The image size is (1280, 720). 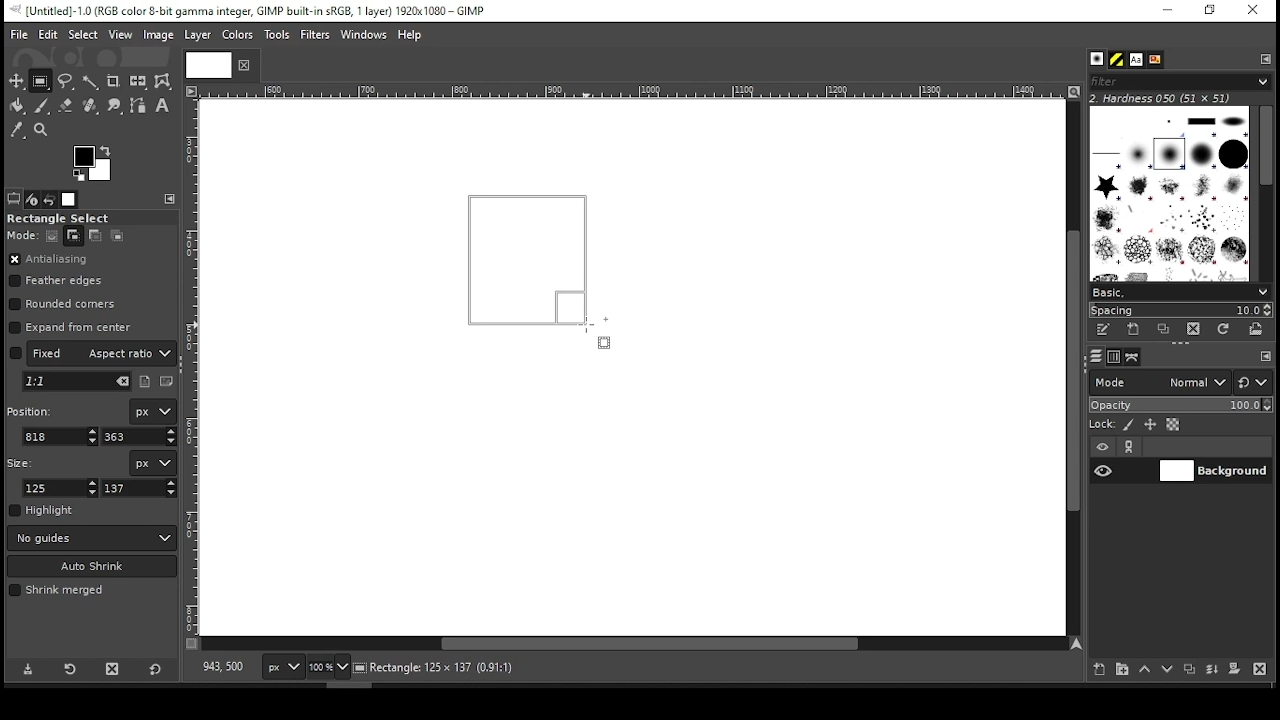 I want to click on 2. hardness 050 (51x51), so click(x=1166, y=98).